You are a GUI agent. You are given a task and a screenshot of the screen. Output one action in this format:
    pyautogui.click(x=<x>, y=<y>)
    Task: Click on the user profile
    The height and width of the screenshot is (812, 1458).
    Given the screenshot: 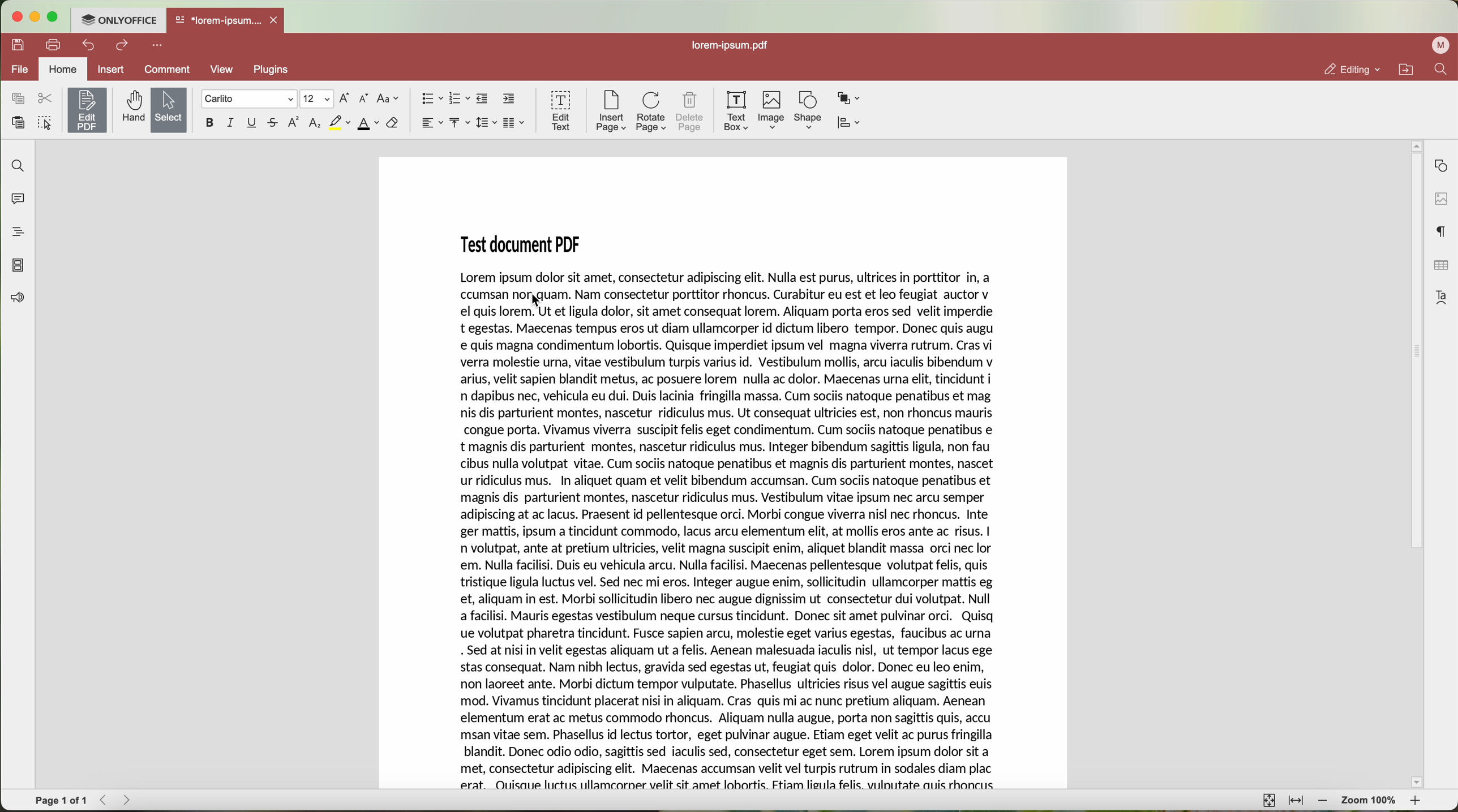 What is the action you would take?
    pyautogui.click(x=1440, y=47)
    